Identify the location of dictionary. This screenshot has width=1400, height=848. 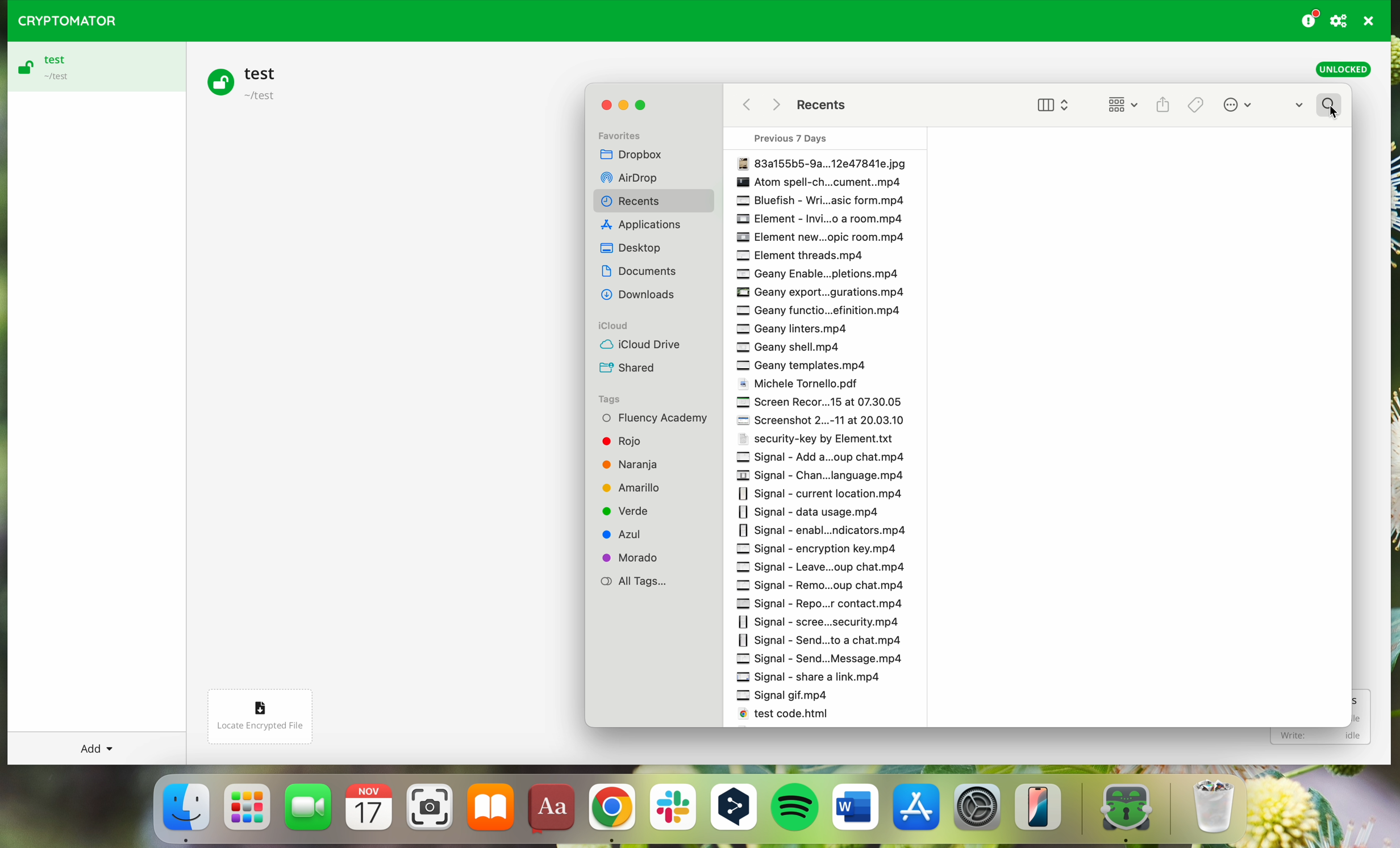
(552, 809).